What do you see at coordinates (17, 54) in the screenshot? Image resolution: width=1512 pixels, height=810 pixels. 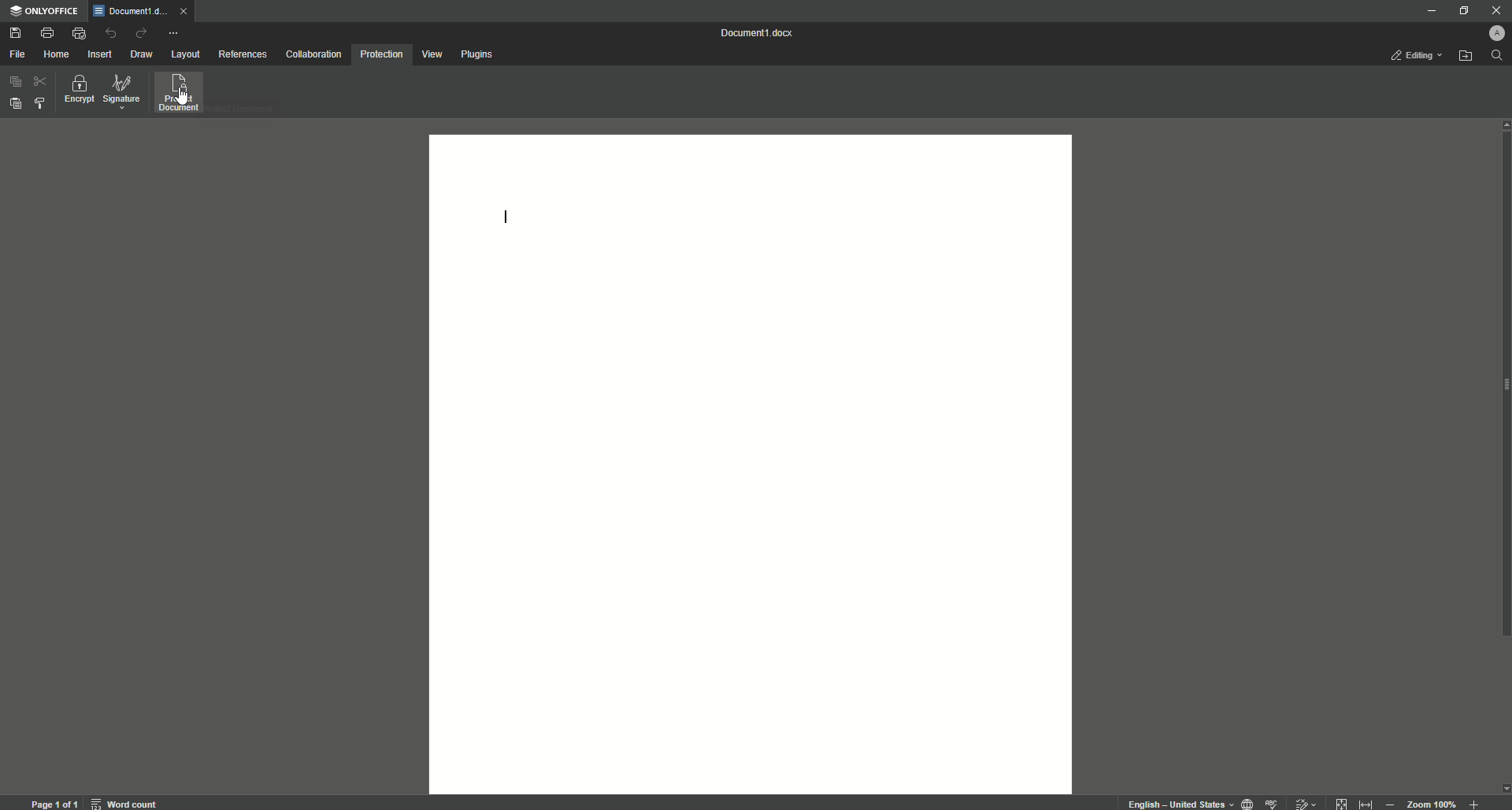 I see `File` at bounding box center [17, 54].